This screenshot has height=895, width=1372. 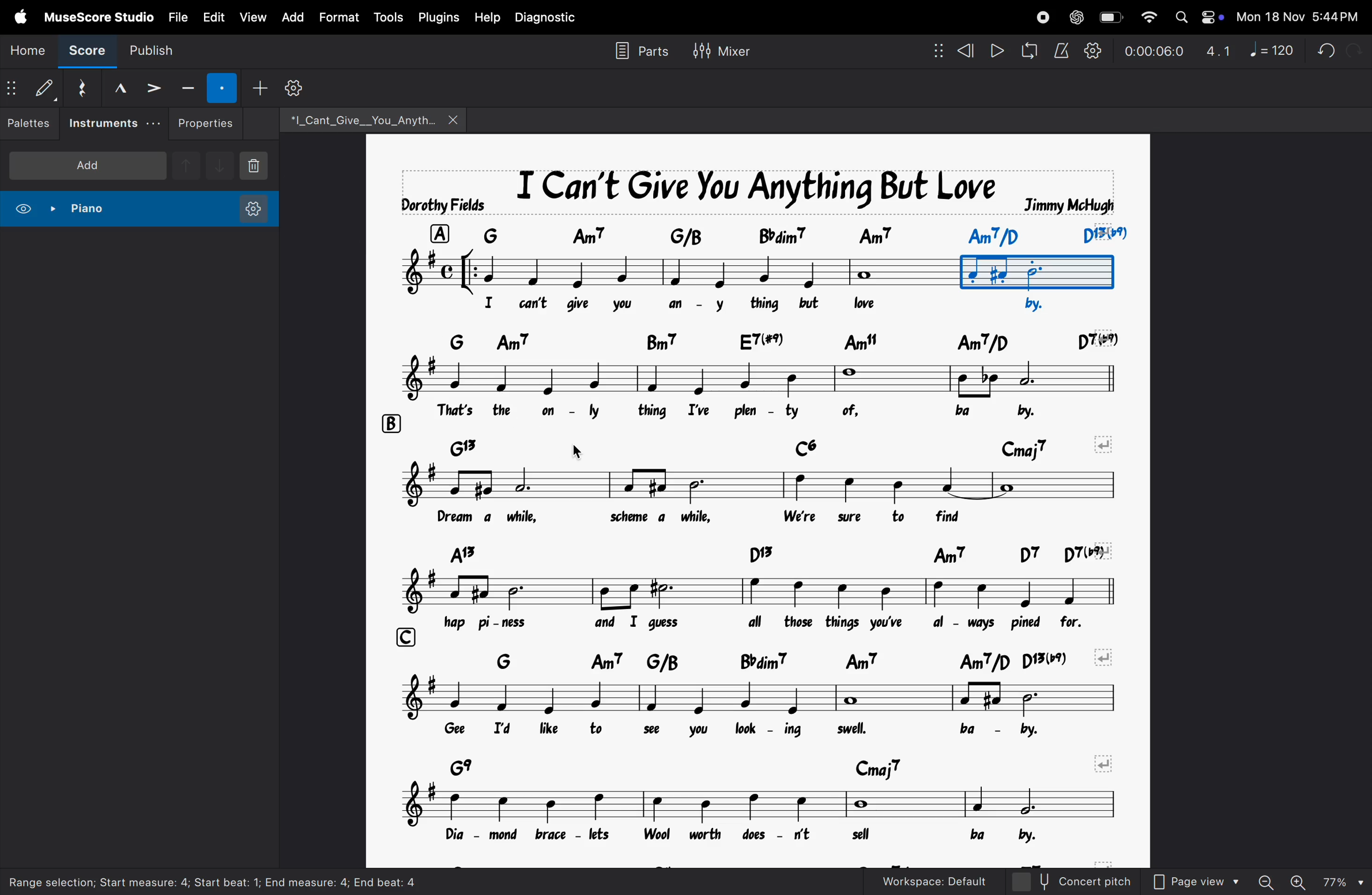 I want to click on upnote, so click(x=186, y=170).